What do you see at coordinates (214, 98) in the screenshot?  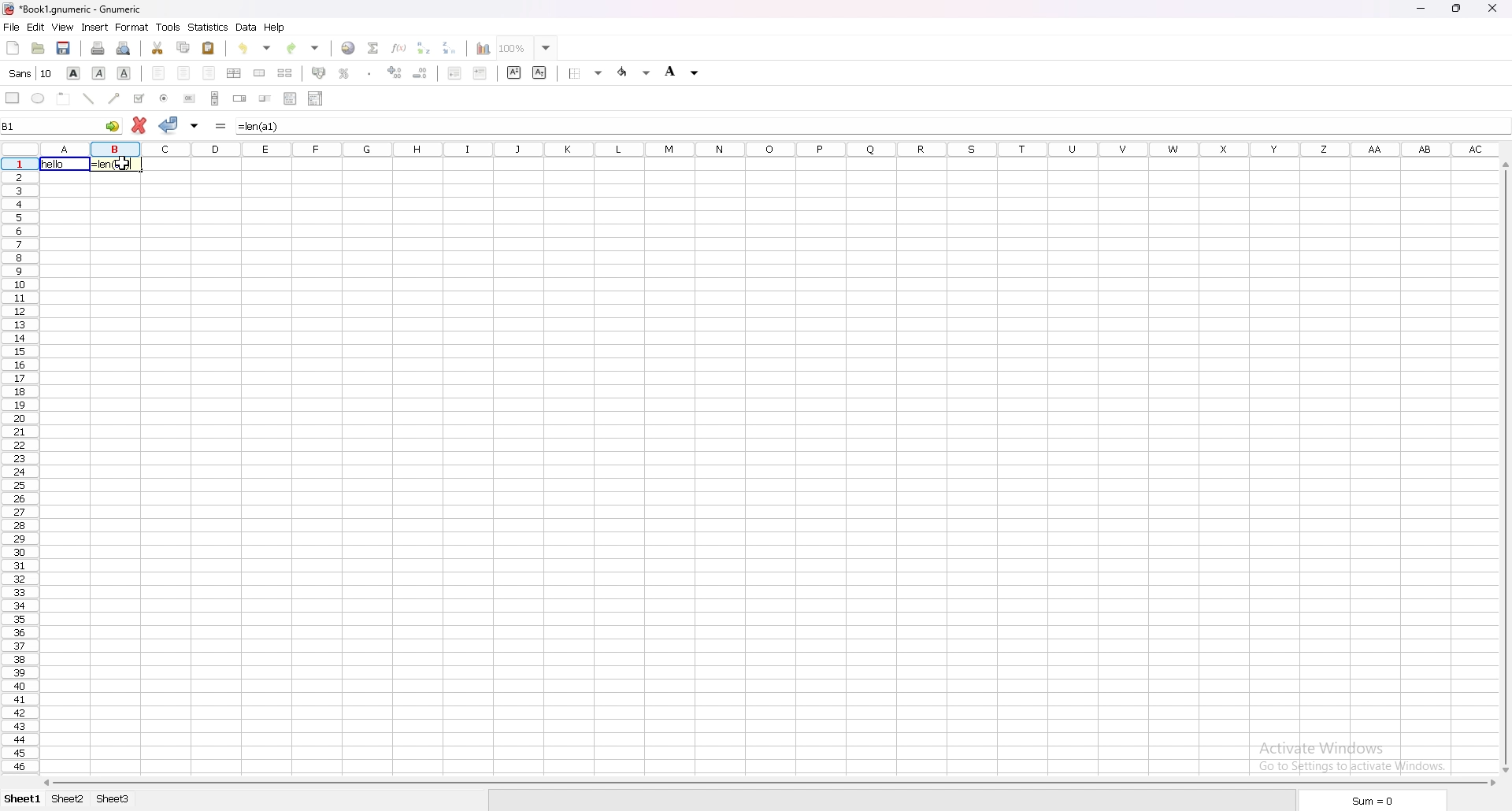 I see `create scroll bar` at bounding box center [214, 98].